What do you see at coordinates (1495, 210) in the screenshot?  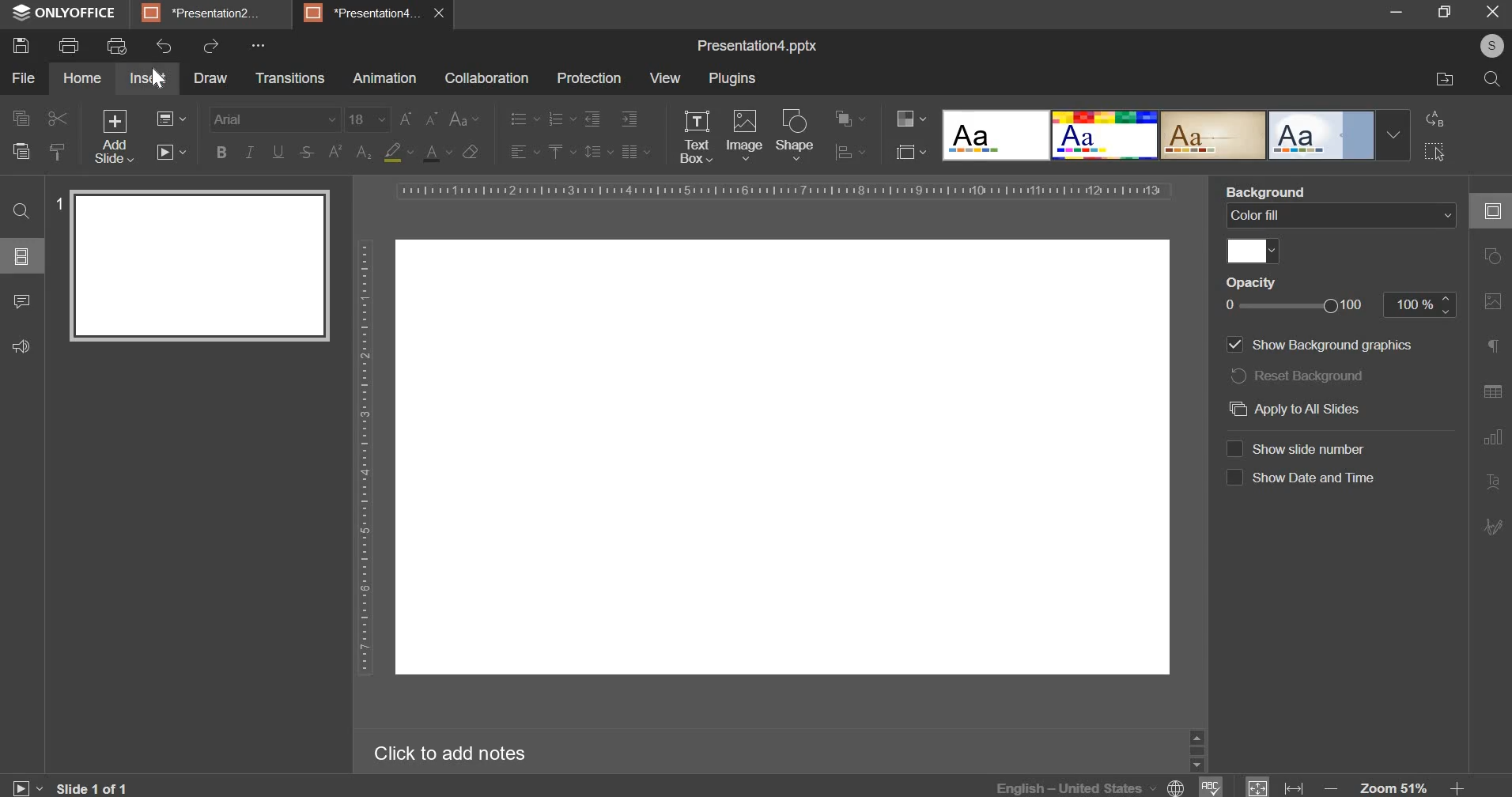 I see `slide settings` at bounding box center [1495, 210].